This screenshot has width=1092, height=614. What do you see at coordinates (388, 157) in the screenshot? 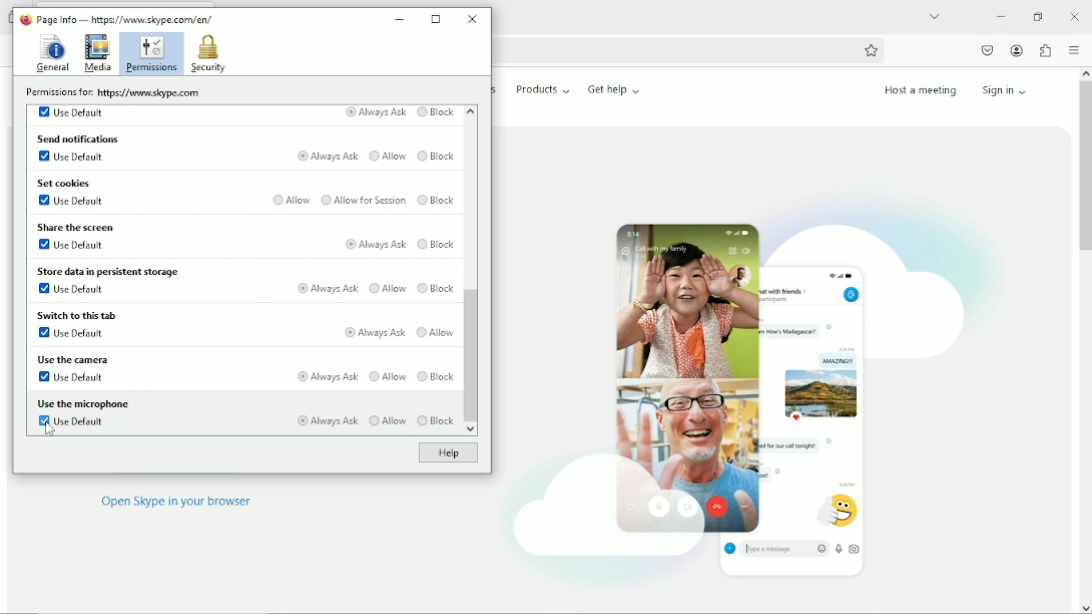
I see `Allow` at bounding box center [388, 157].